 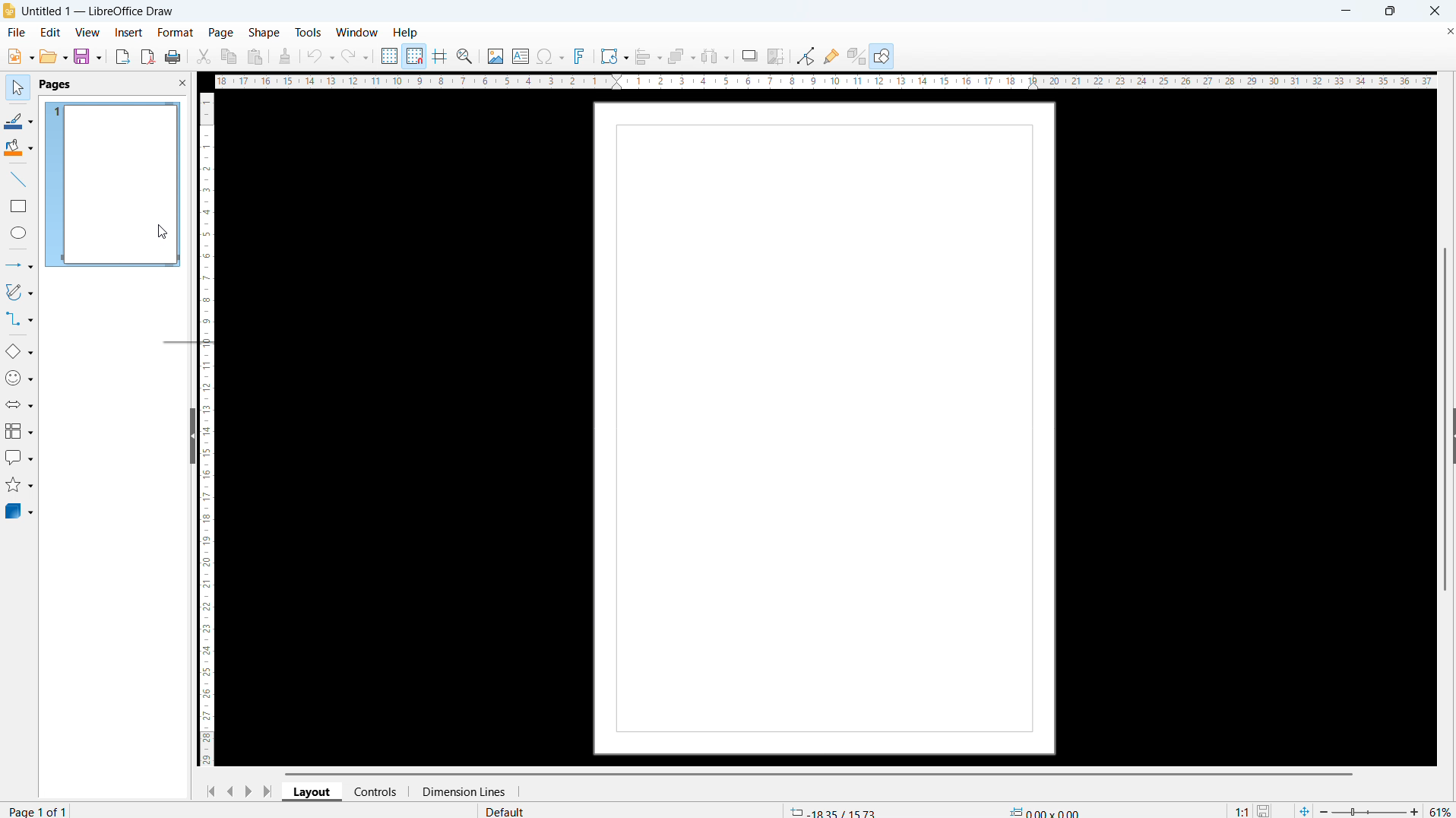 I want to click on minimize, so click(x=1347, y=11).